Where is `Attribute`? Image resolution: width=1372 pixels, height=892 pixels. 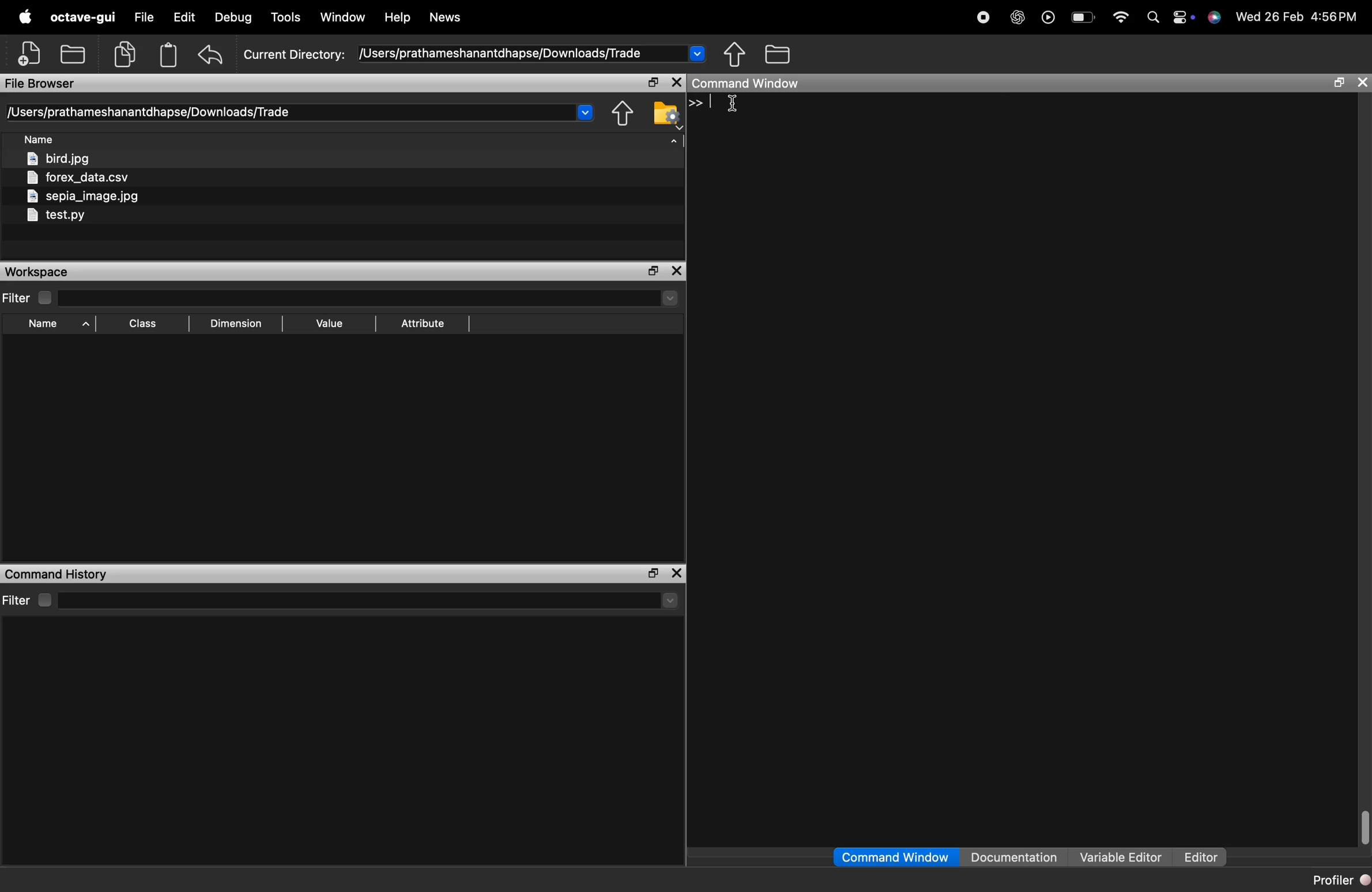
Attribute is located at coordinates (423, 323).